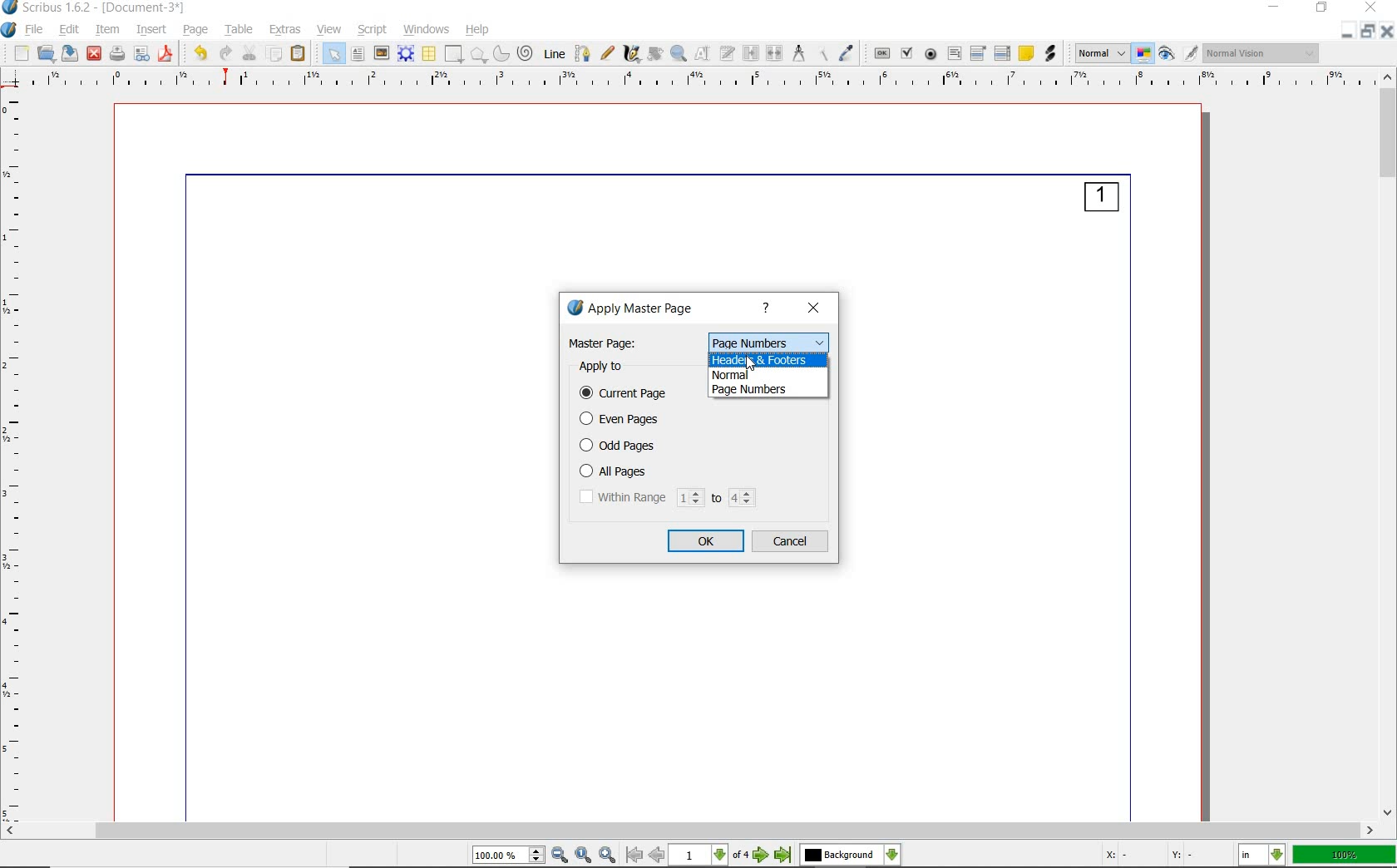 The image size is (1397, 868). What do you see at coordinates (528, 53) in the screenshot?
I see `spiral` at bounding box center [528, 53].